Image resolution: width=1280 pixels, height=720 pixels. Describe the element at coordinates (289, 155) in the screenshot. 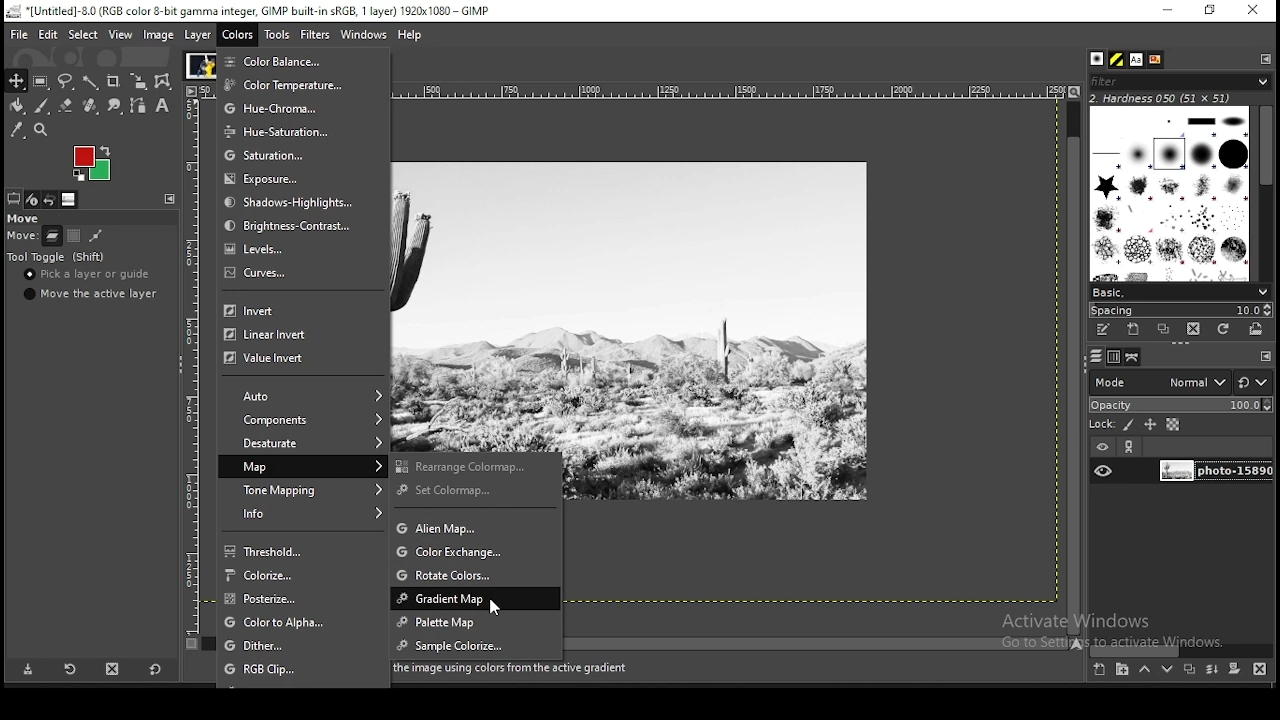

I see `saturation` at that location.